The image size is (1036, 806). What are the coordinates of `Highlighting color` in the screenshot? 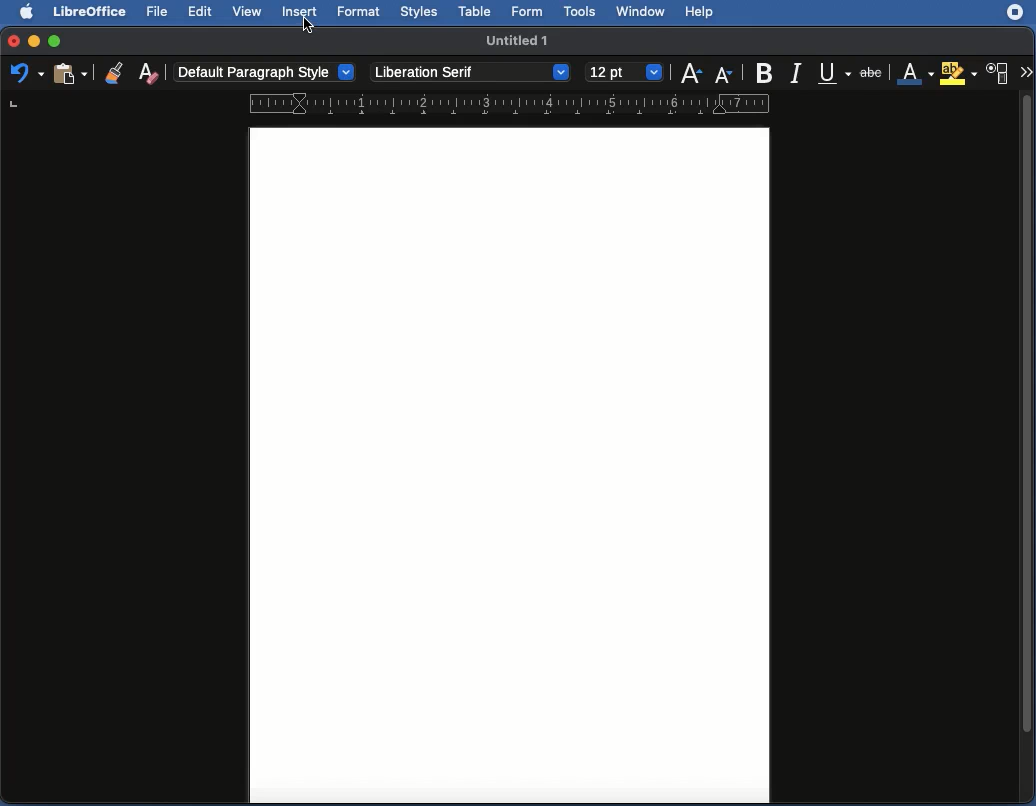 It's located at (957, 73).